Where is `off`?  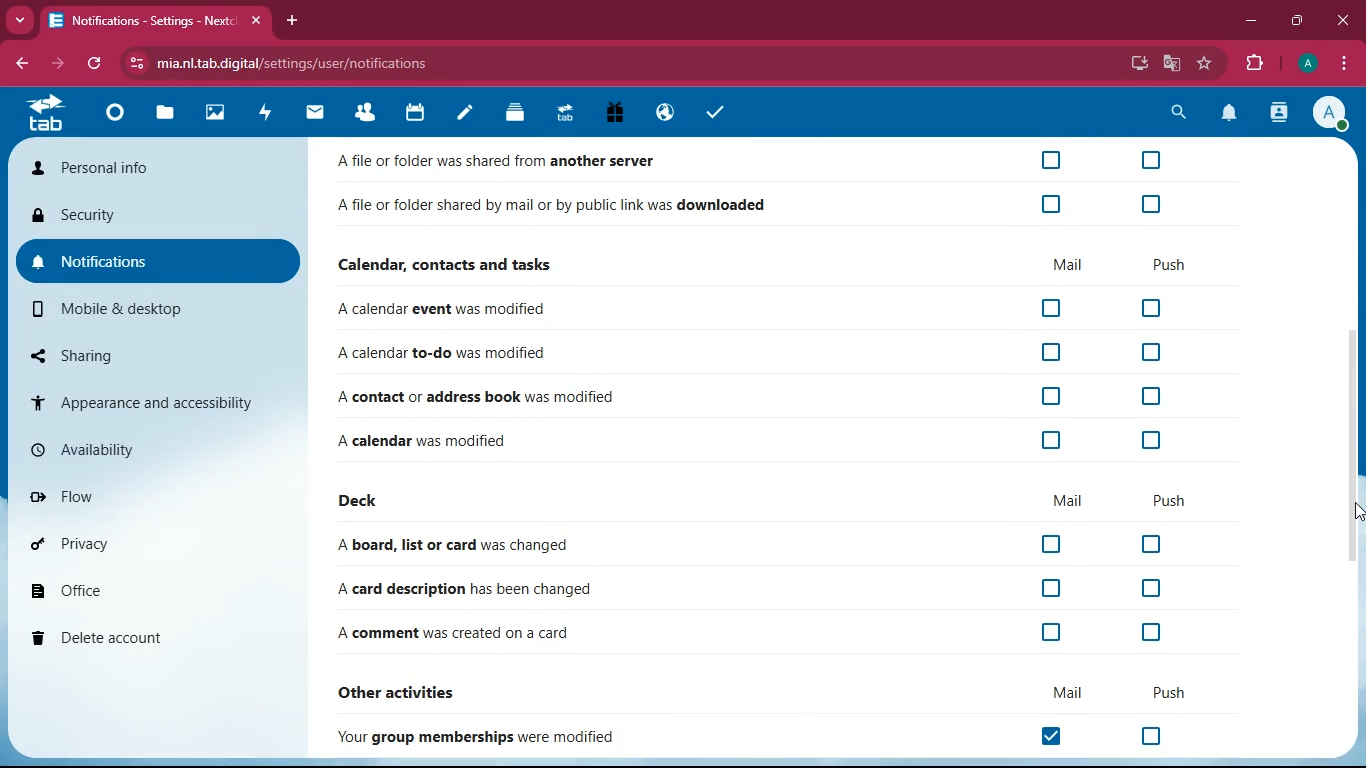 off is located at coordinates (1147, 588).